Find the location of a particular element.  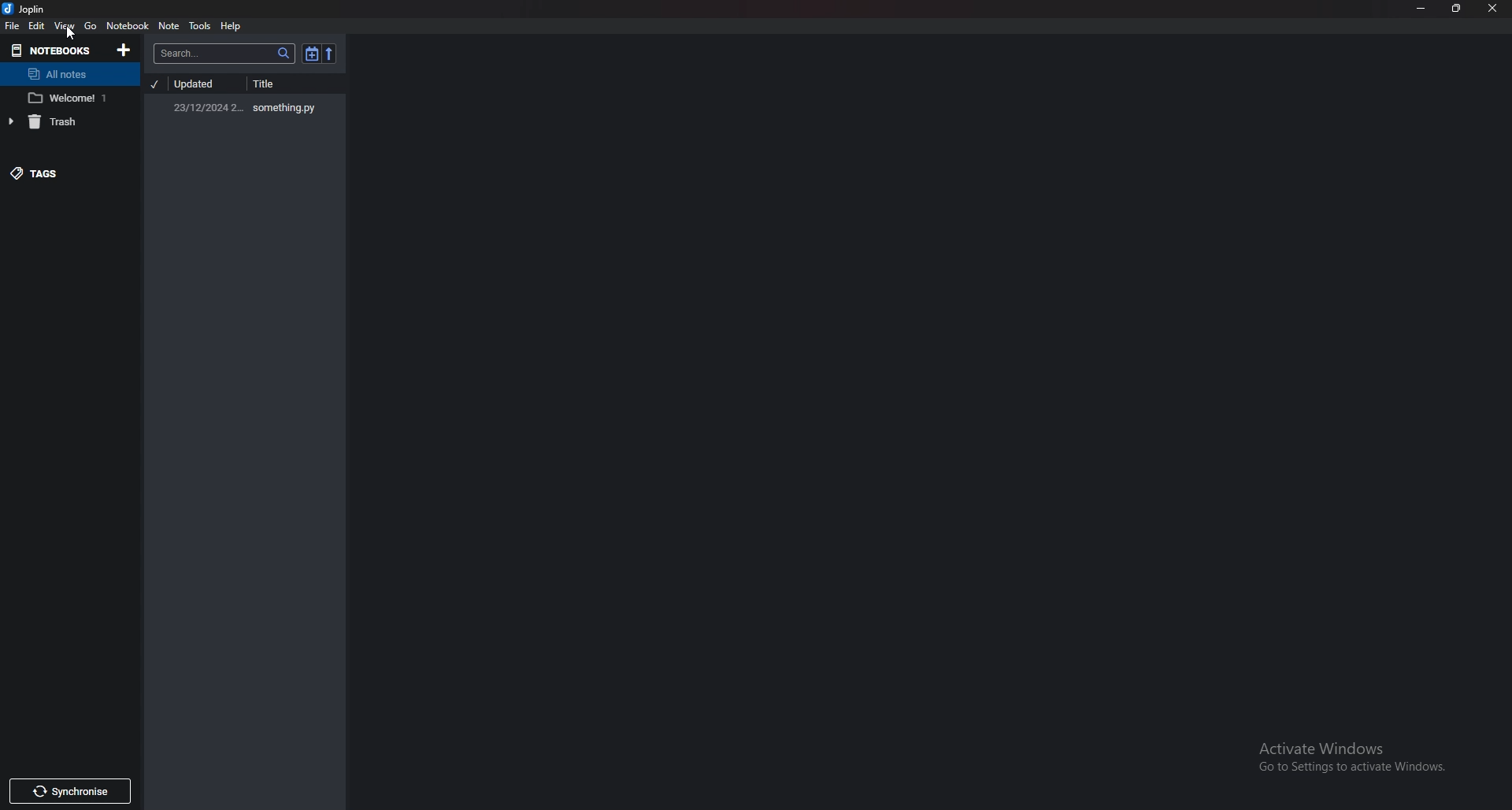

help is located at coordinates (231, 27).